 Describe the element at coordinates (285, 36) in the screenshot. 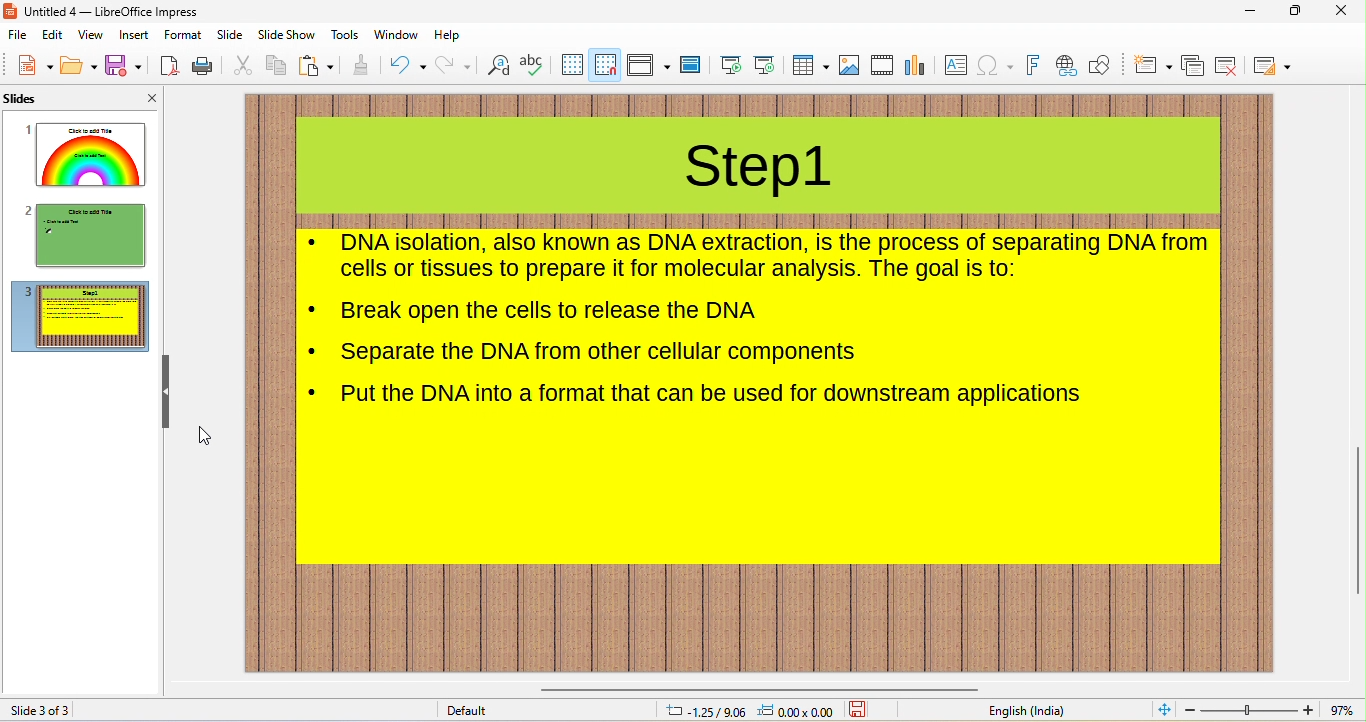

I see `slideshow` at that location.